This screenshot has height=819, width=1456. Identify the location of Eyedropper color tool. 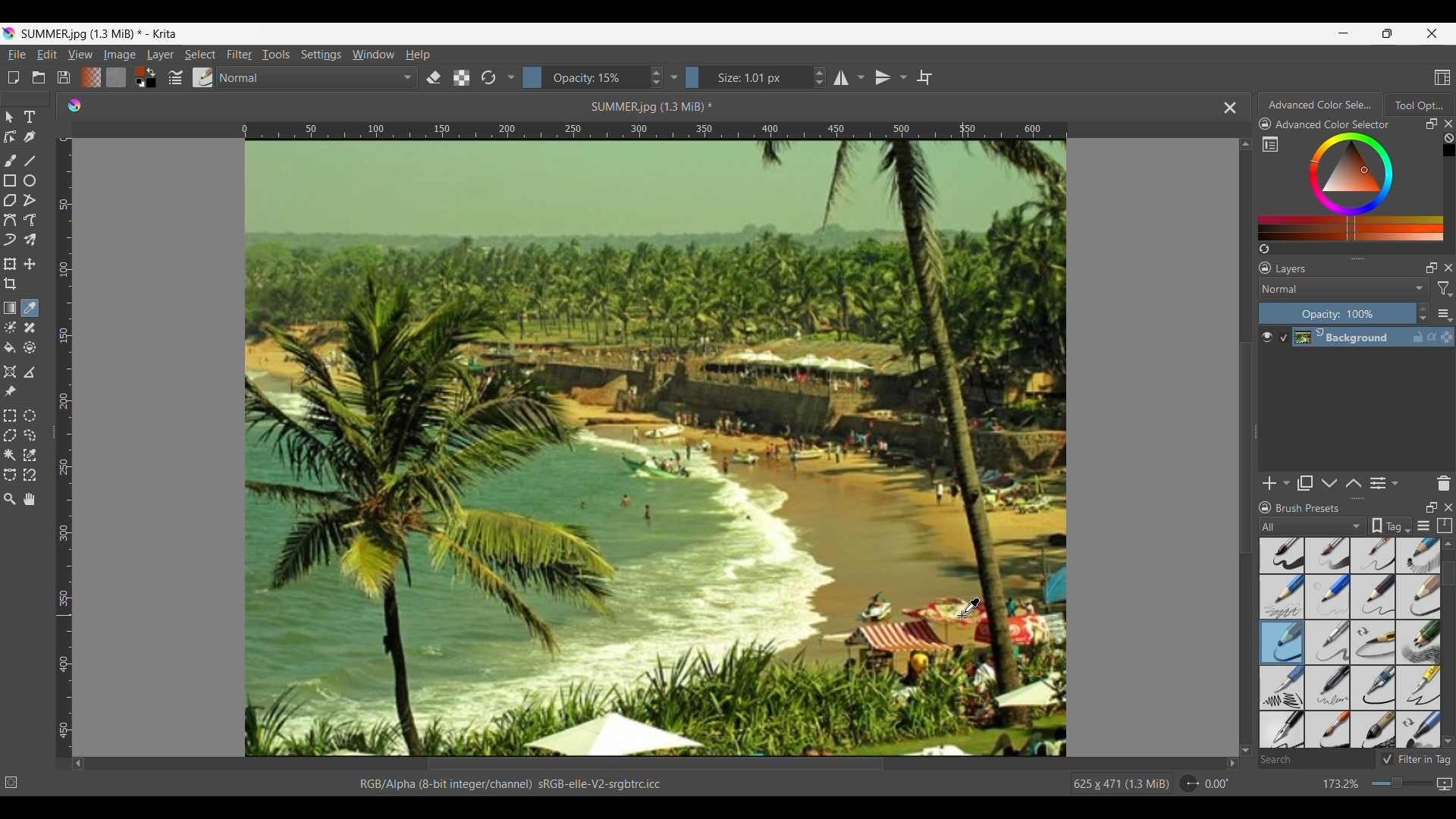
(29, 308).